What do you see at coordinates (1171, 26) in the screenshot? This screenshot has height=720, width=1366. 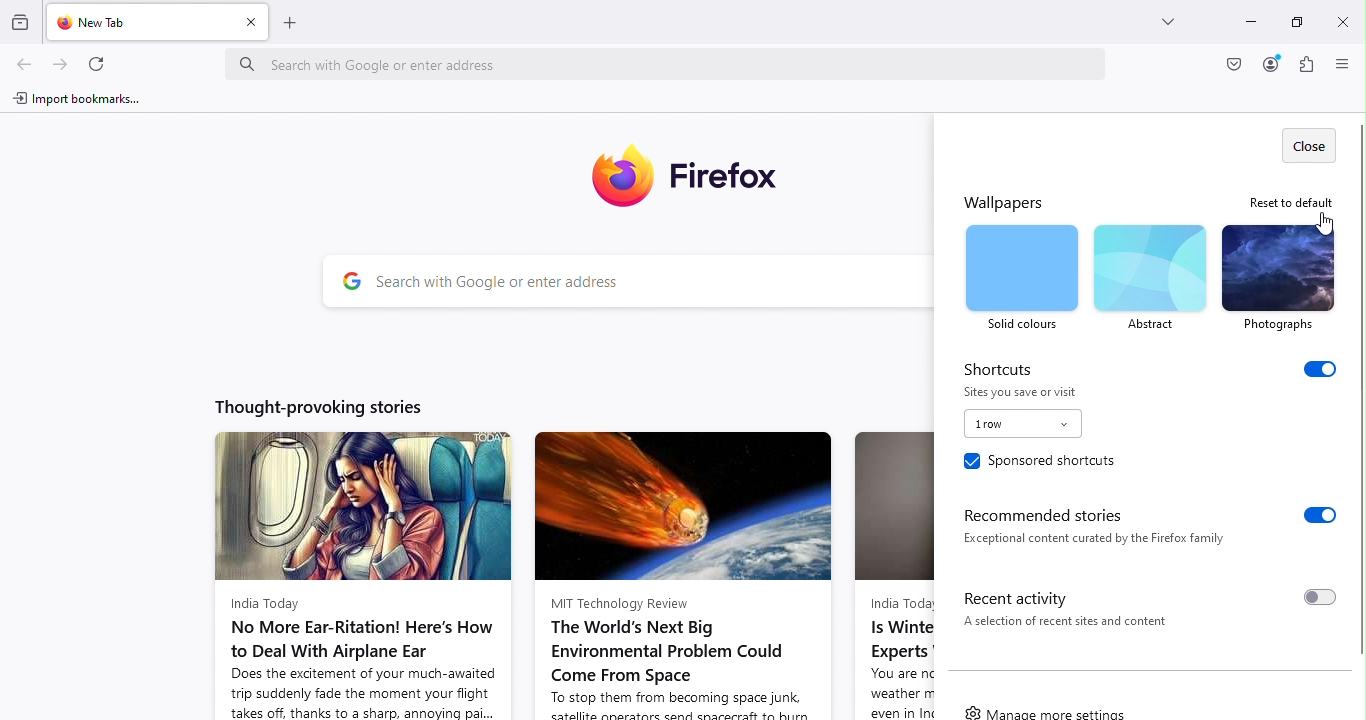 I see `List all tabs` at bounding box center [1171, 26].